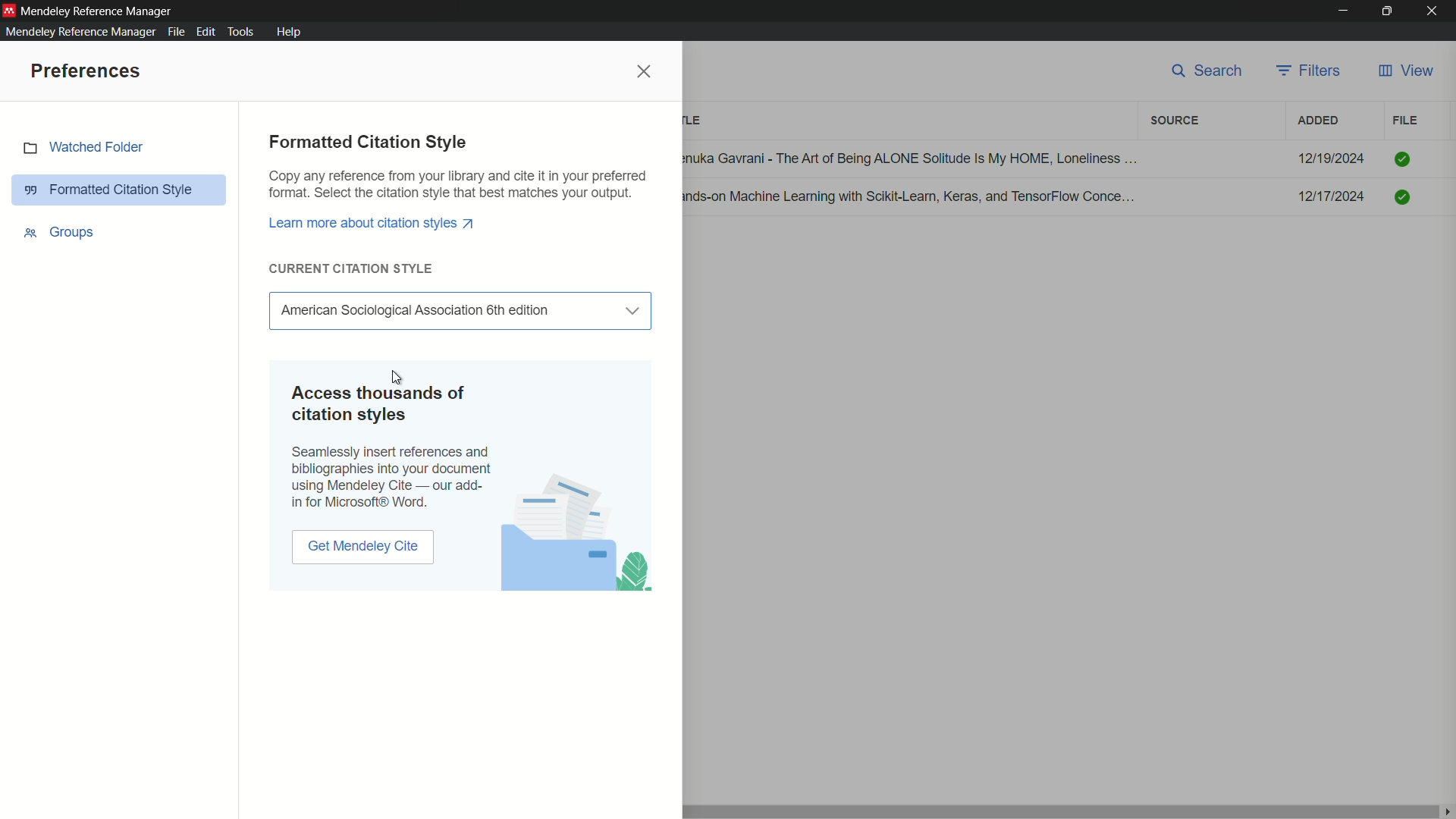 This screenshot has width=1456, height=819. What do you see at coordinates (460, 310) in the screenshot?
I see `Select Citation Style` at bounding box center [460, 310].